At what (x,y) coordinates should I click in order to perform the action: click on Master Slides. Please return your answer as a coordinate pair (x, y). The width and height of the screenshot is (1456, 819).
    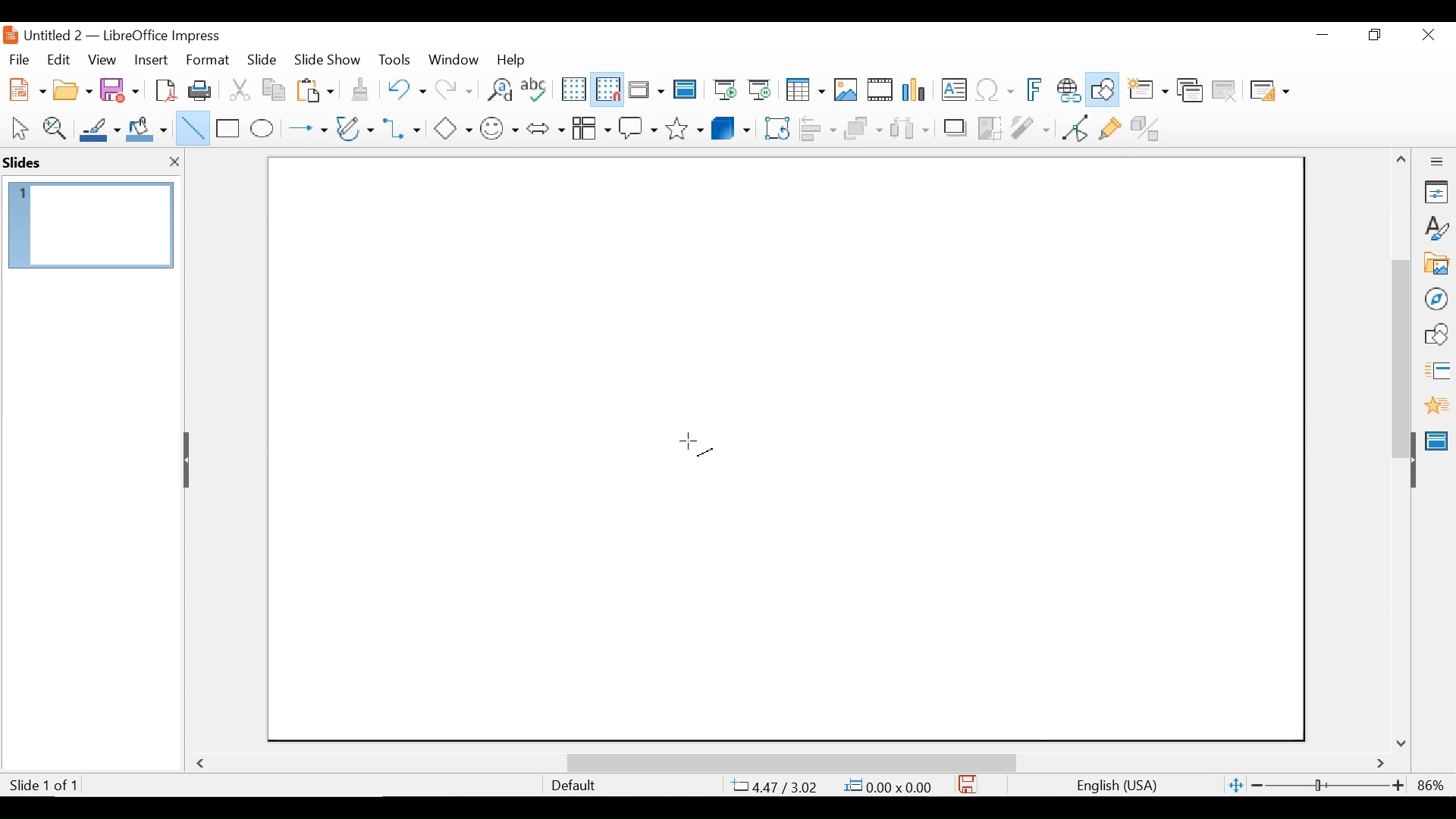
    Looking at the image, I should click on (686, 91).